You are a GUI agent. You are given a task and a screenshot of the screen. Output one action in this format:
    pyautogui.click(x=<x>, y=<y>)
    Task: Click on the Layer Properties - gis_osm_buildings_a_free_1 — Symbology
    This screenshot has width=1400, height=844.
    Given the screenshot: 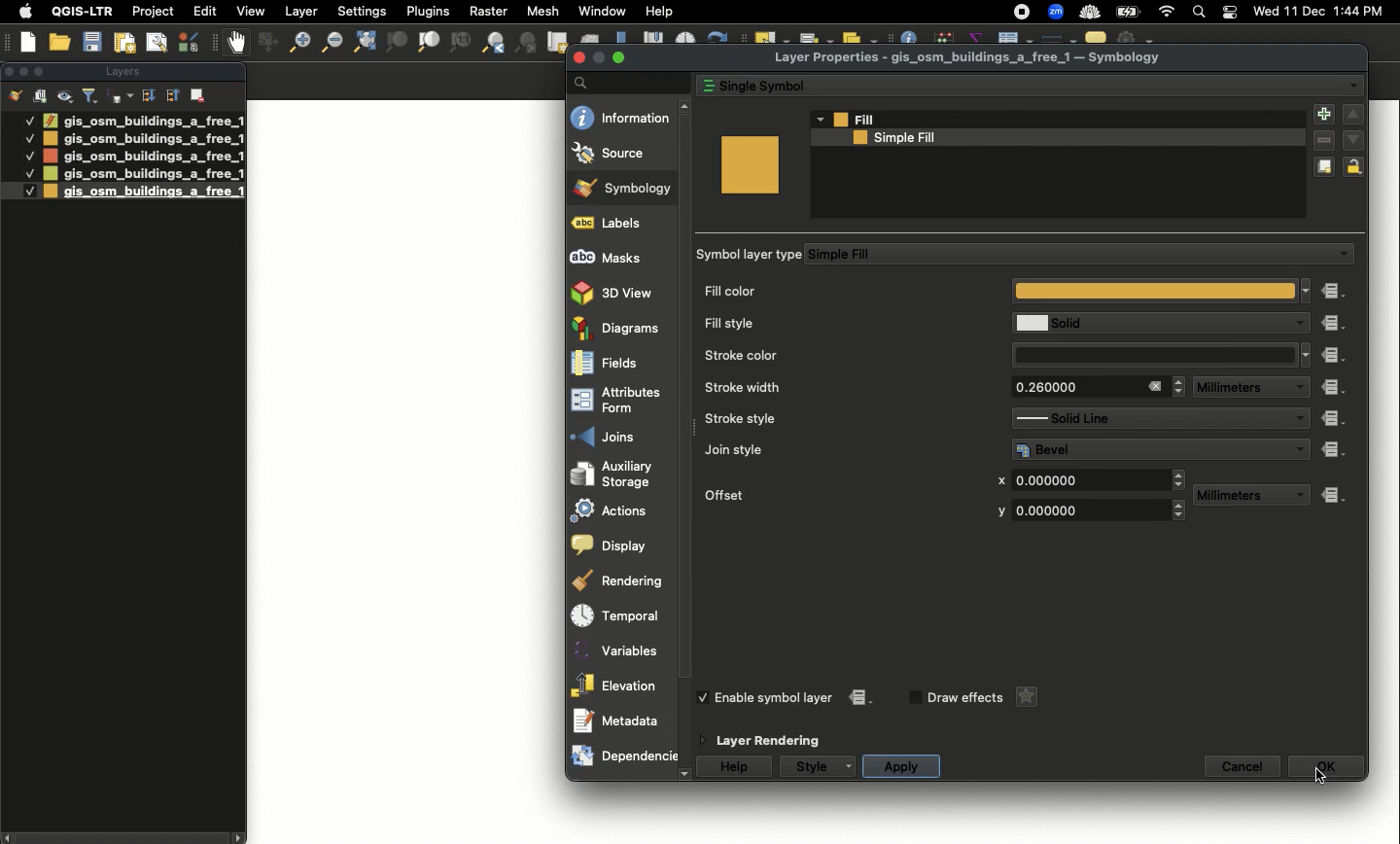 What is the action you would take?
    pyautogui.click(x=970, y=58)
    